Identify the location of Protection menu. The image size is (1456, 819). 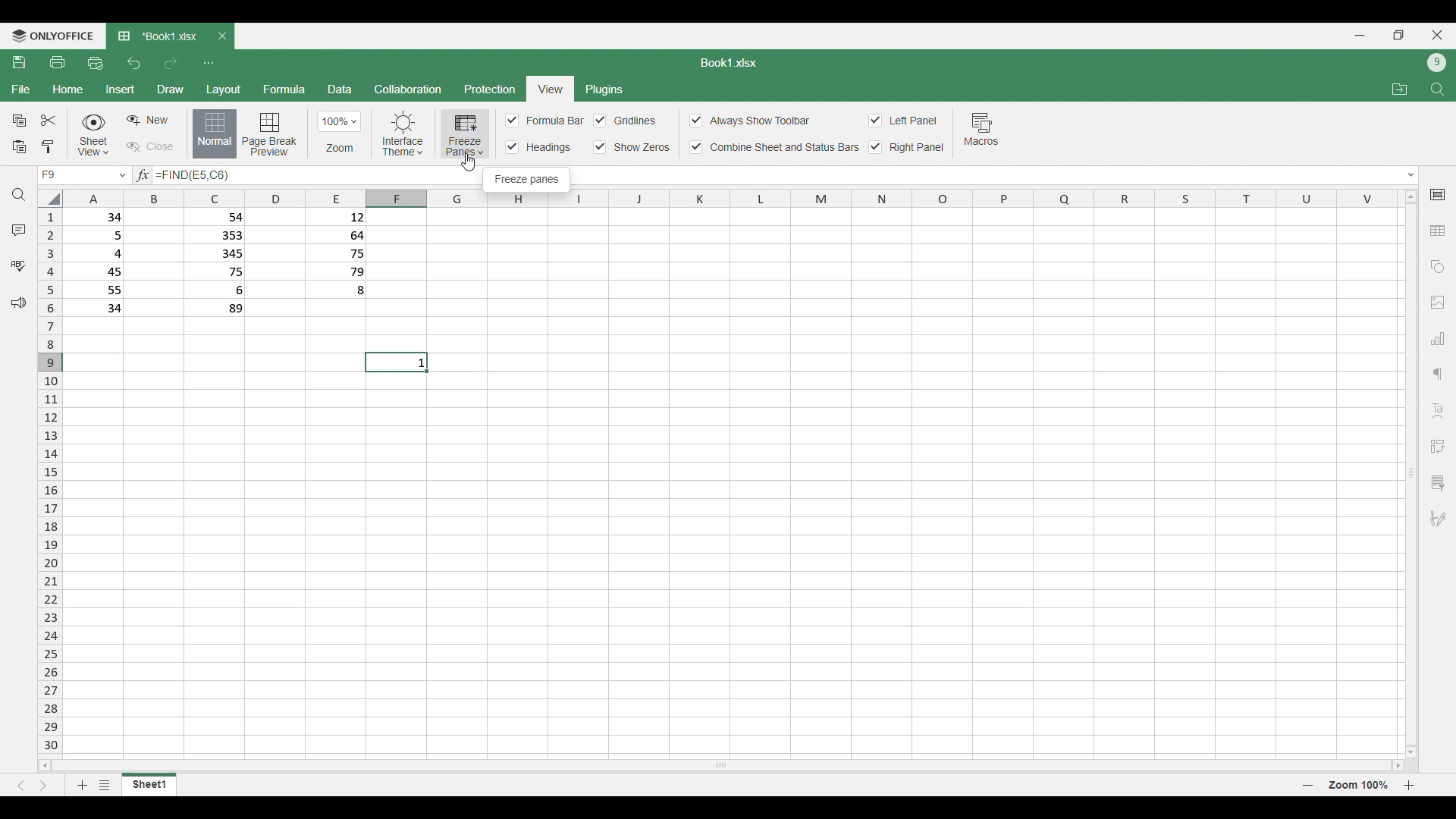
(489, 89).